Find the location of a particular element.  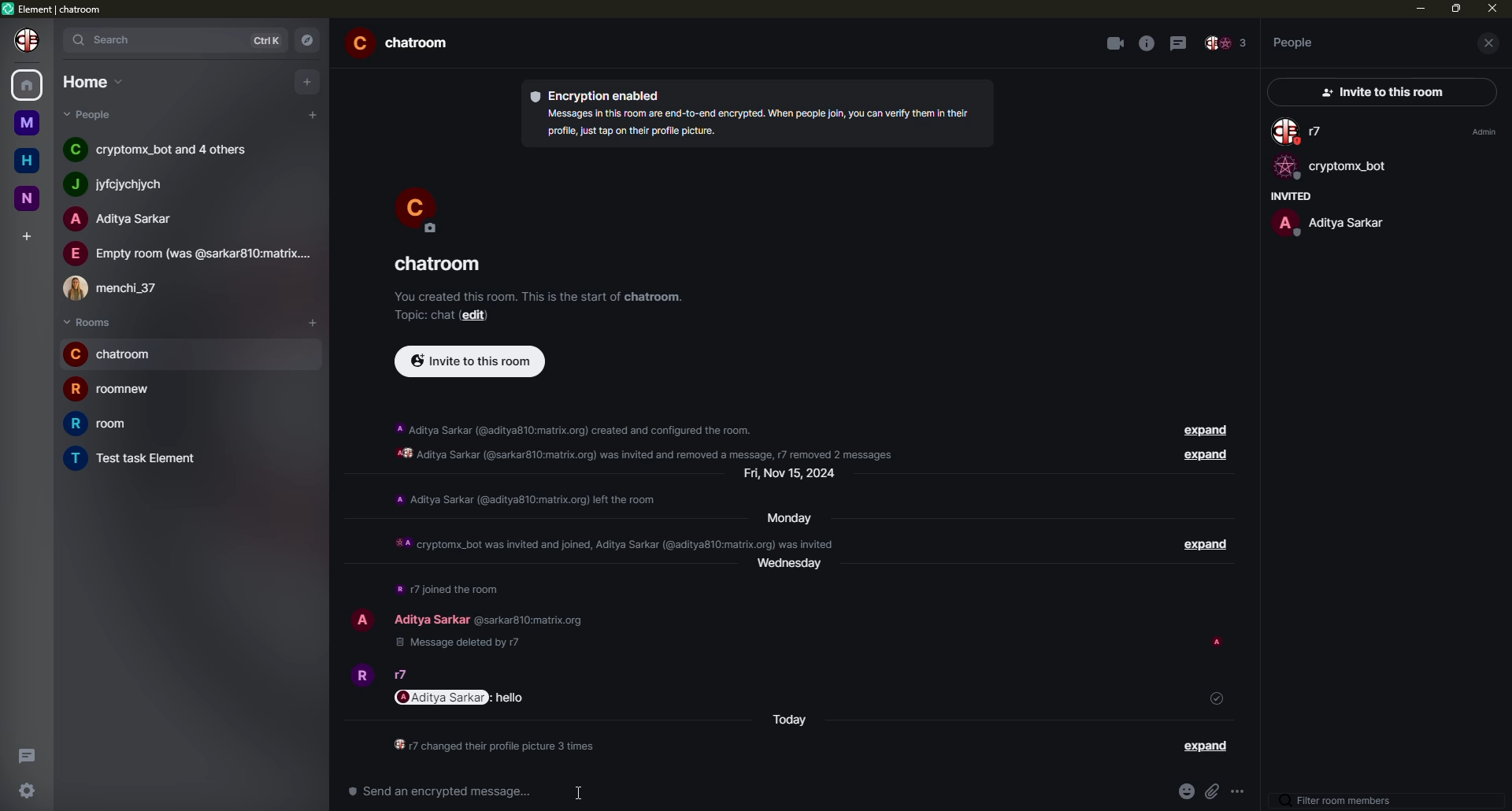

sent is located at coordinates (1217, 698).